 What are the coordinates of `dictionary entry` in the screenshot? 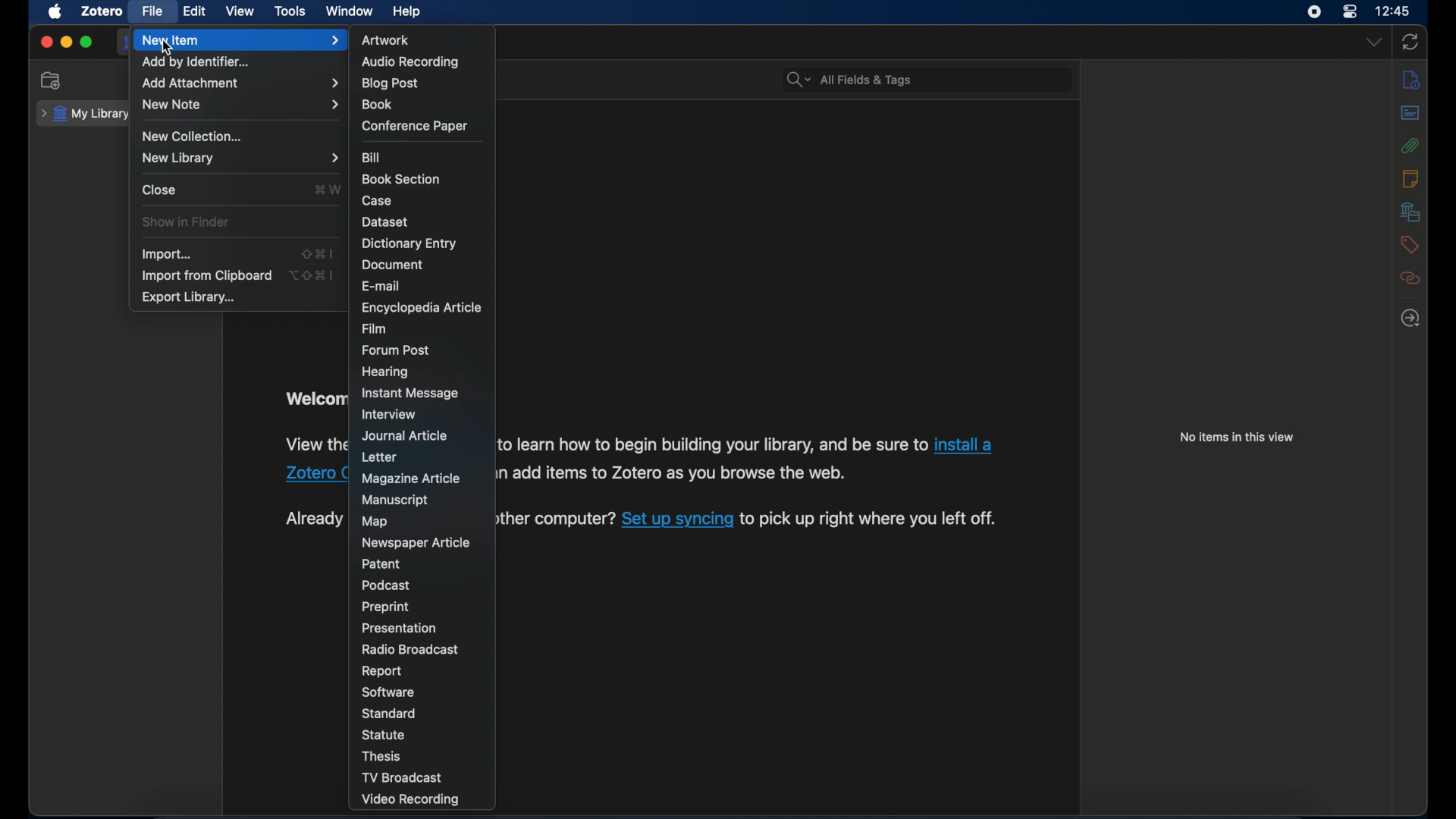 It's located at (409, 243).